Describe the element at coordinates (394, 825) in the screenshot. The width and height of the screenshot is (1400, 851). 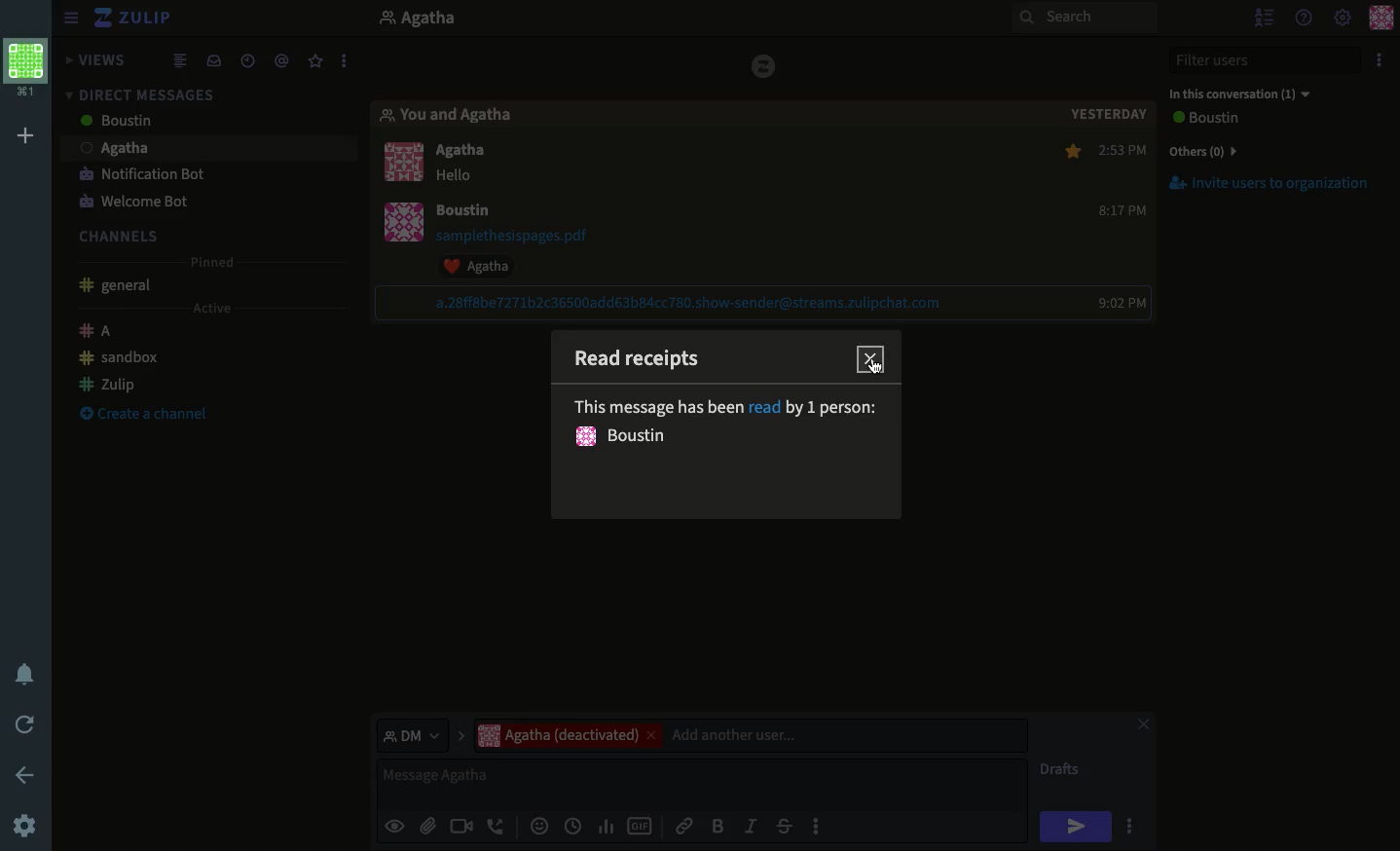
I see `Preview` at that location.